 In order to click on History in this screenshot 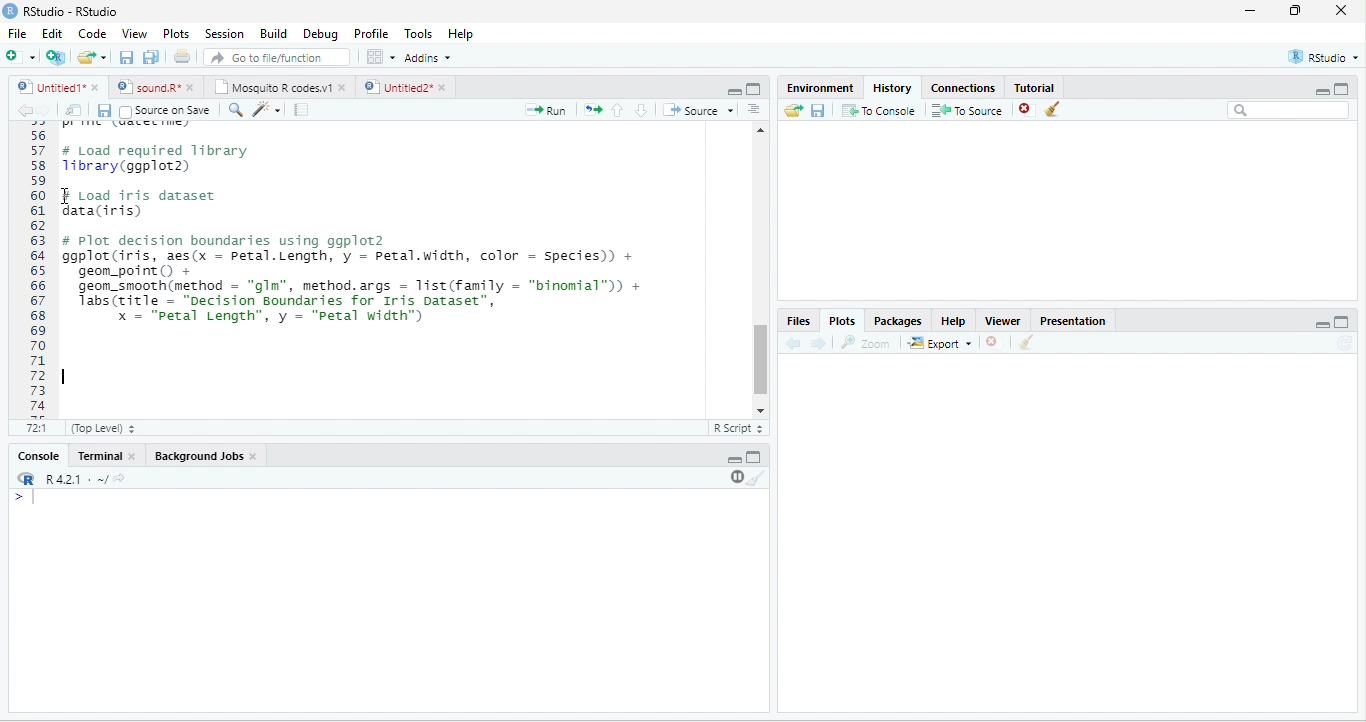, I will do `click(892, 88)`.